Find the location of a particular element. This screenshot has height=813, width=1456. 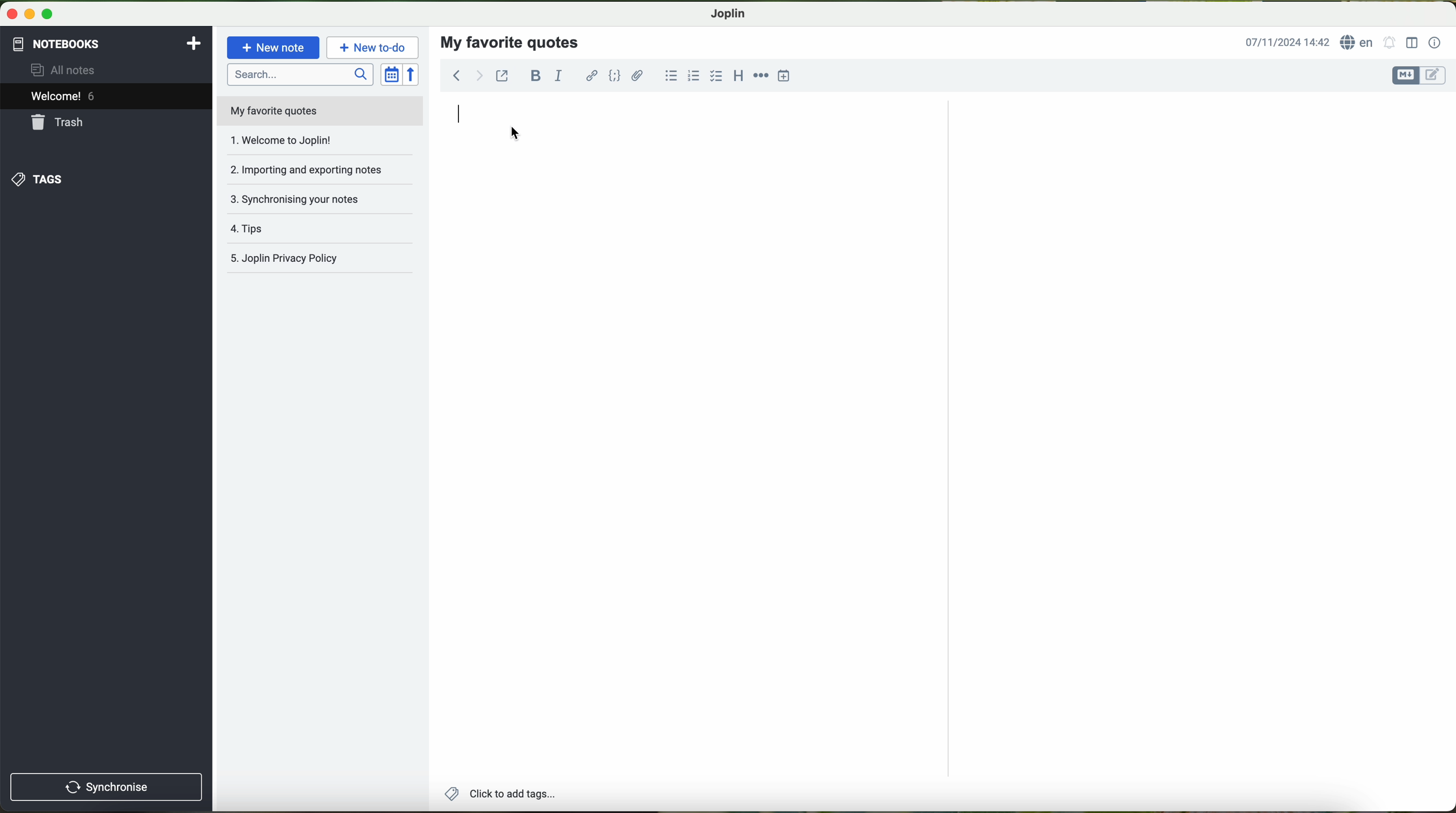

heading is located at coordinates (740, 77).